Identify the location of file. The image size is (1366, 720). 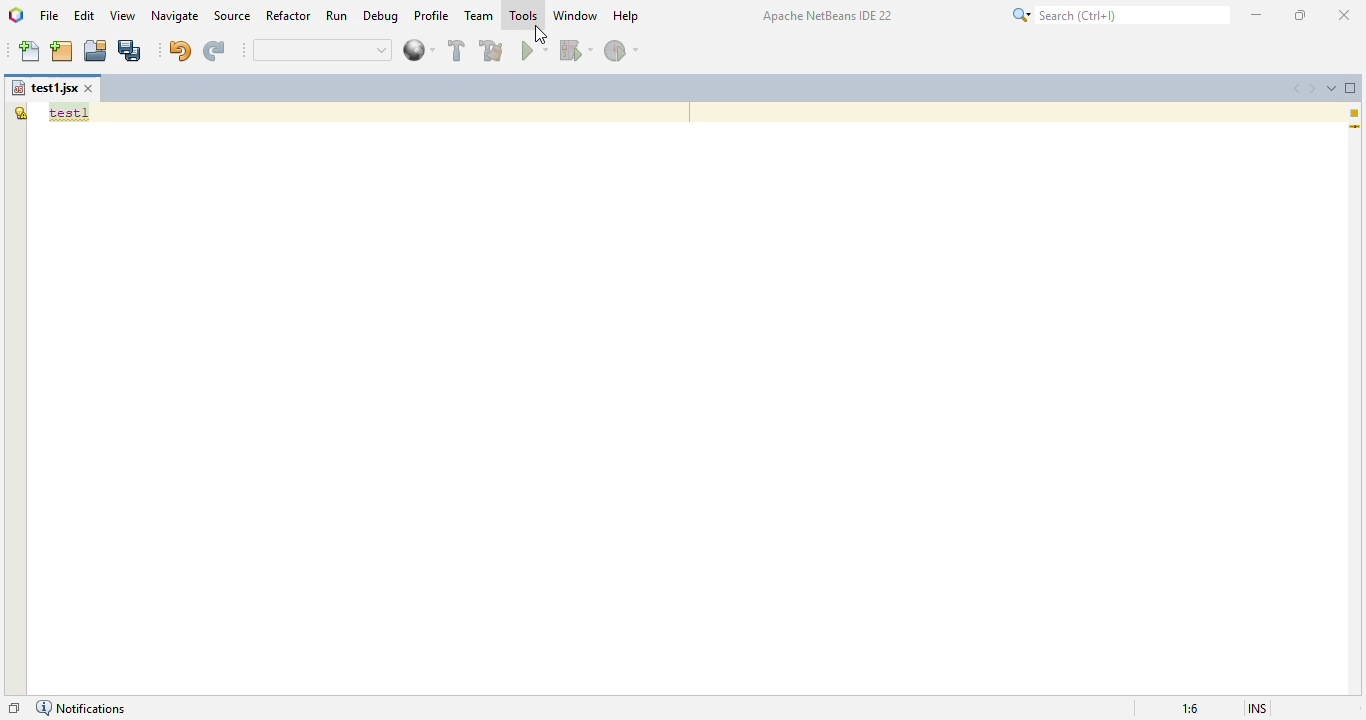
(49, 15).